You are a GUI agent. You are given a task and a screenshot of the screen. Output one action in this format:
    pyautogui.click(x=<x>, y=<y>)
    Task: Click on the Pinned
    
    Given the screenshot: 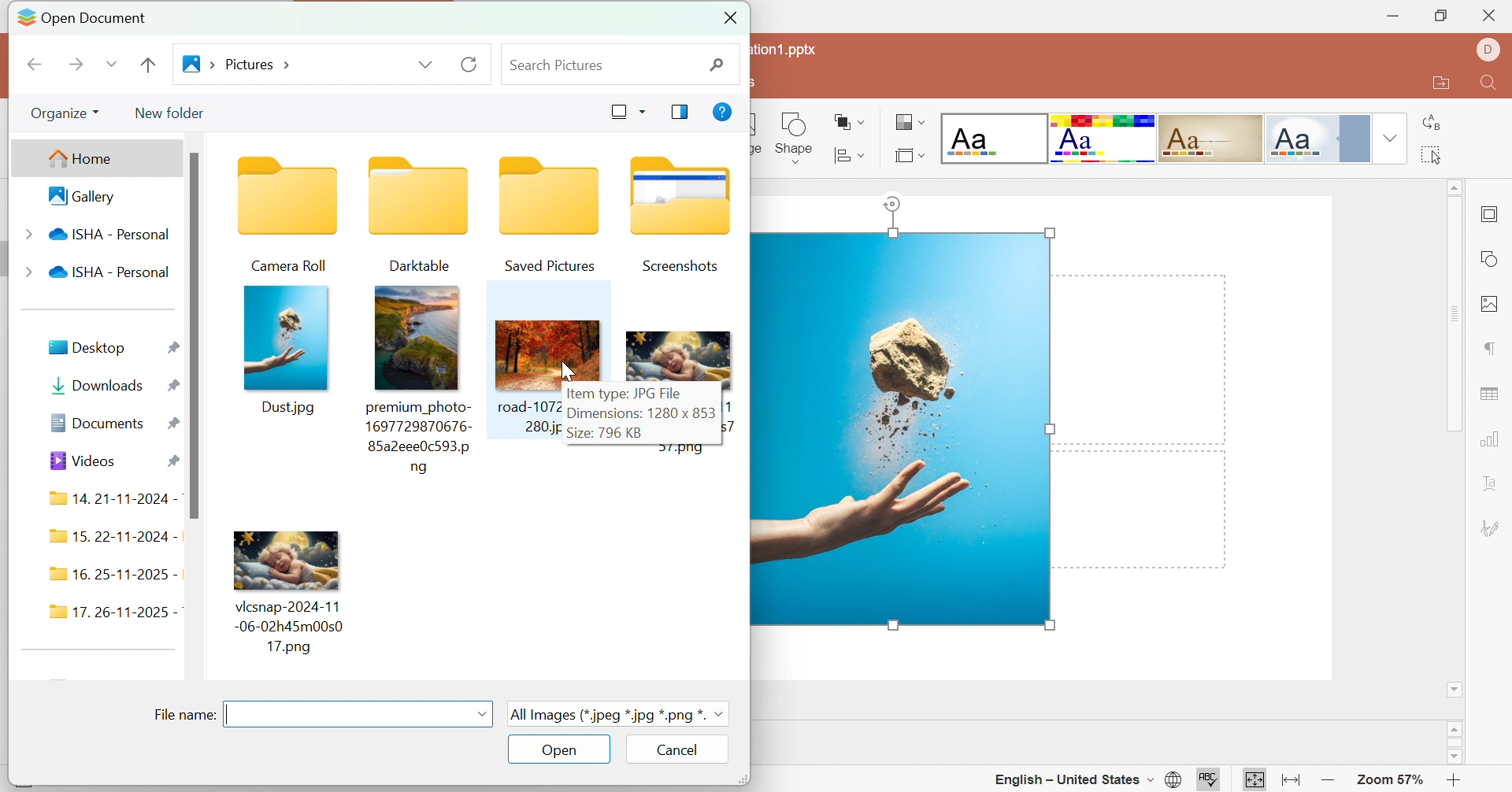 What is the action you would take?
    pyautogui.click(x=173, y=459)
    